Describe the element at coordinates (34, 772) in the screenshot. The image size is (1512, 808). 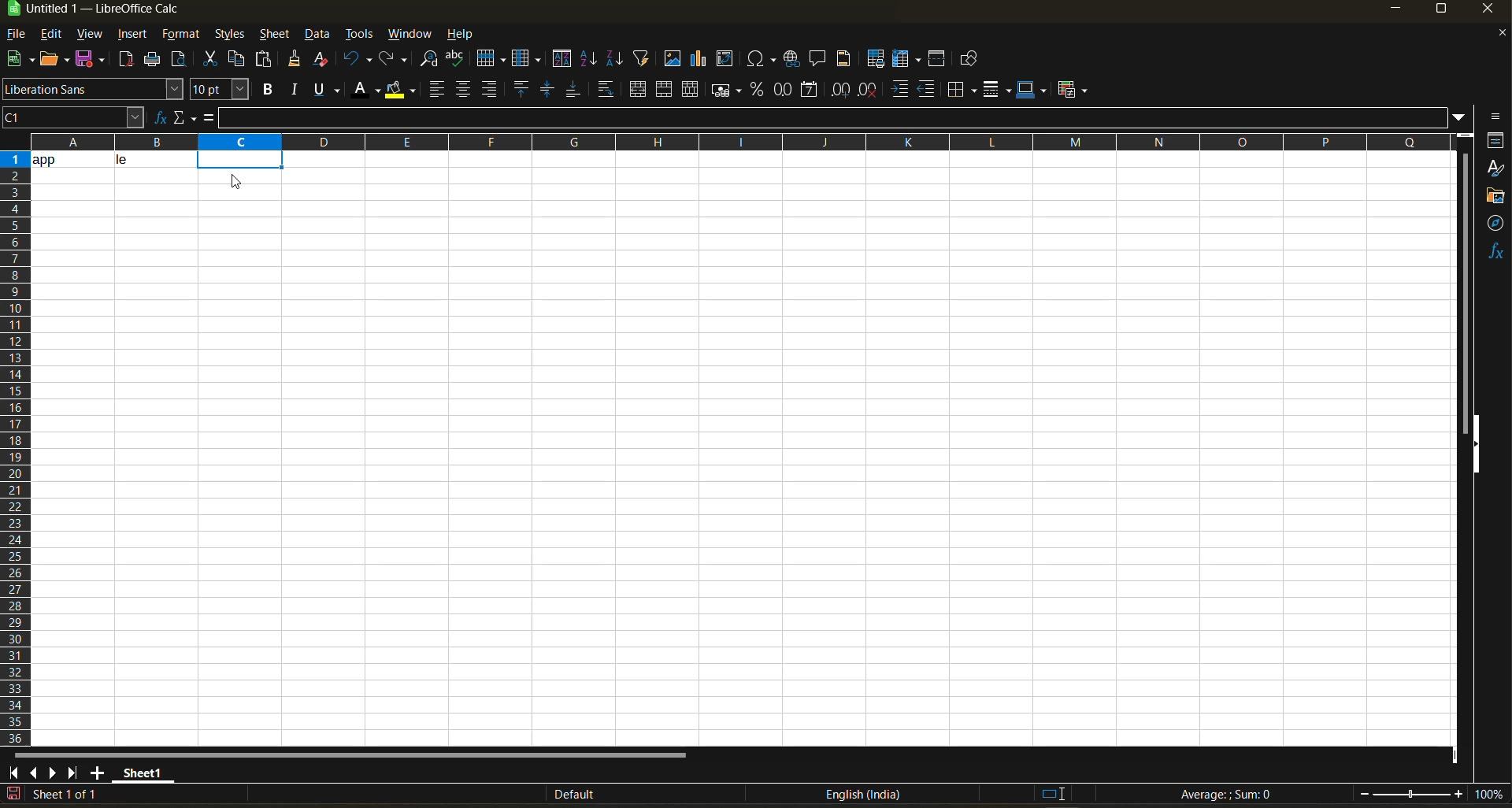
I see `scroll to previous sheet` at that location.